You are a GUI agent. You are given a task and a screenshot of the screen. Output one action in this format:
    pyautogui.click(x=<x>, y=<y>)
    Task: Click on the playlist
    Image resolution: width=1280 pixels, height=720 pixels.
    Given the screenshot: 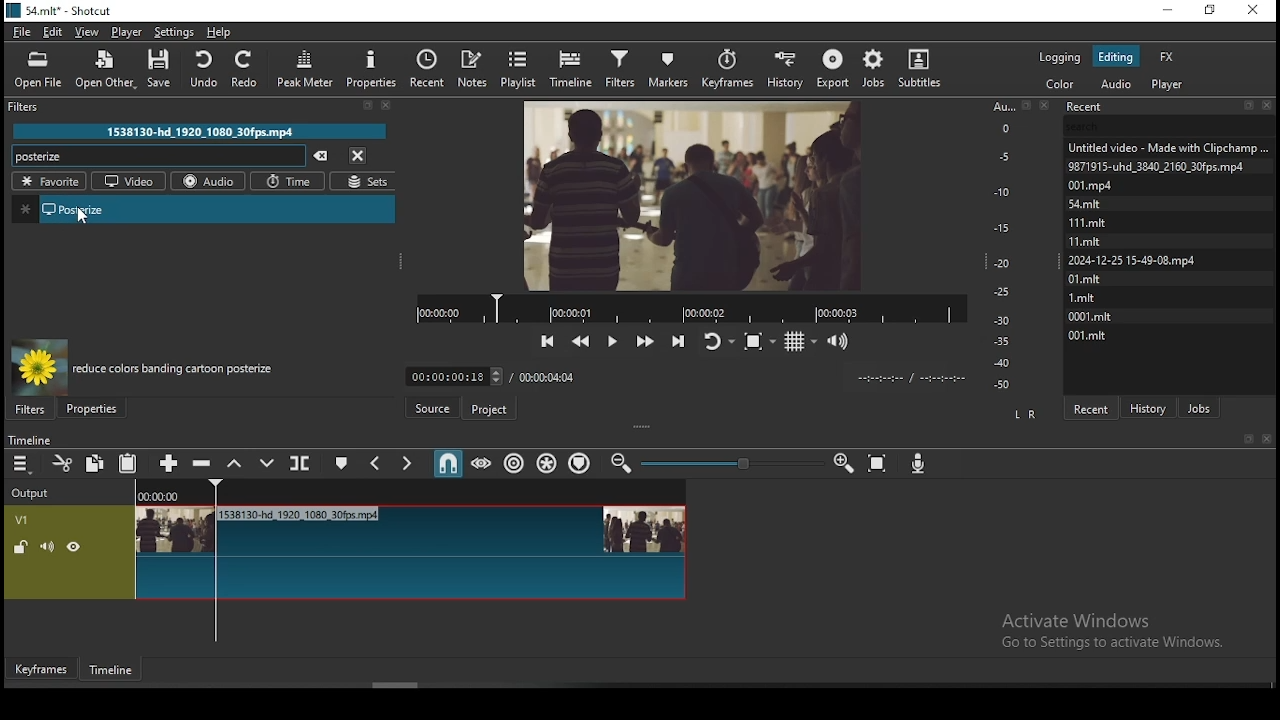 What is the action you would take?
    pyautogui.click(x=520, y=69)
    